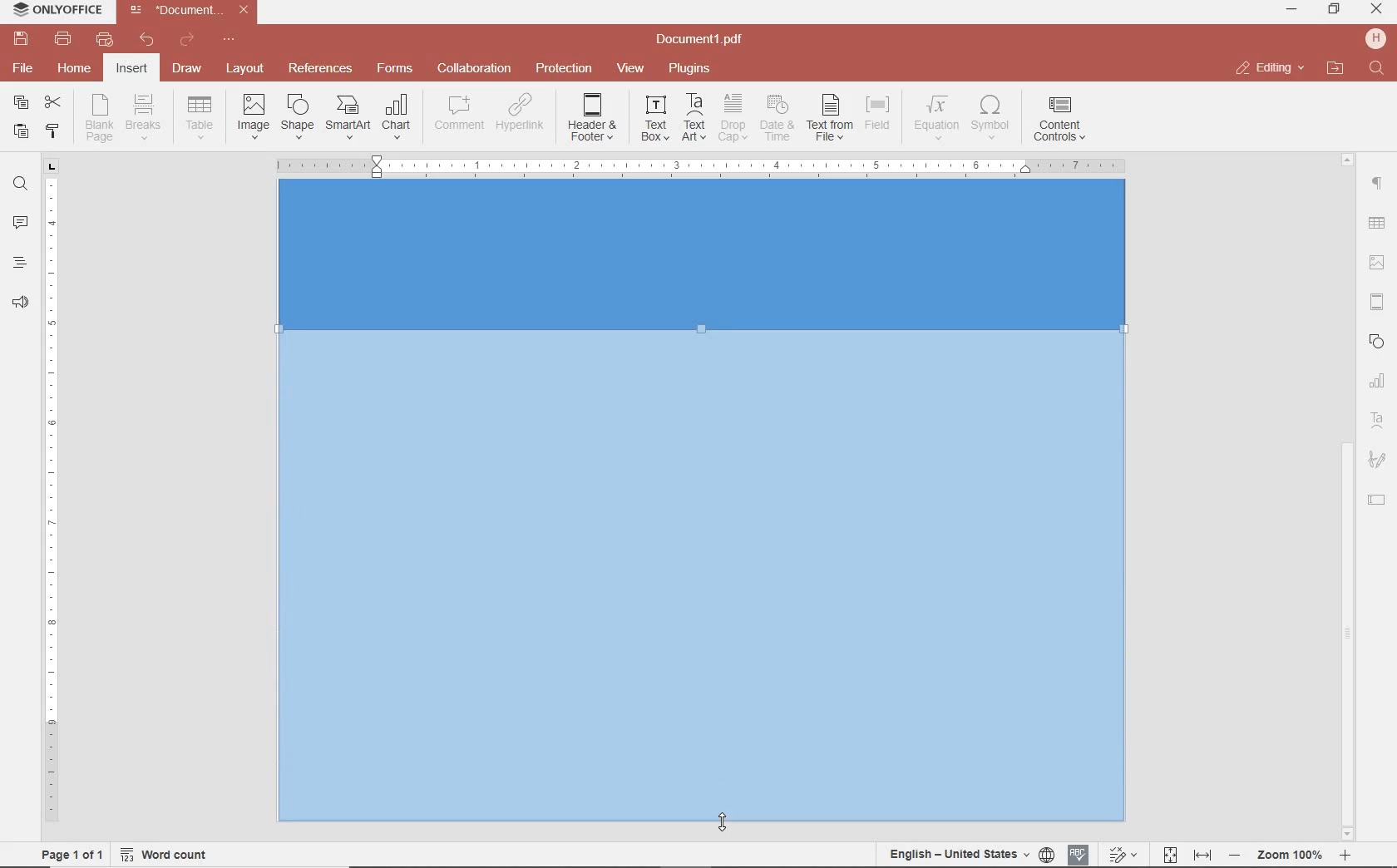  What do you see at coordinates (1079, 855) in the screenshot?
I see `spell checking` at bounding box center [1079, 855].